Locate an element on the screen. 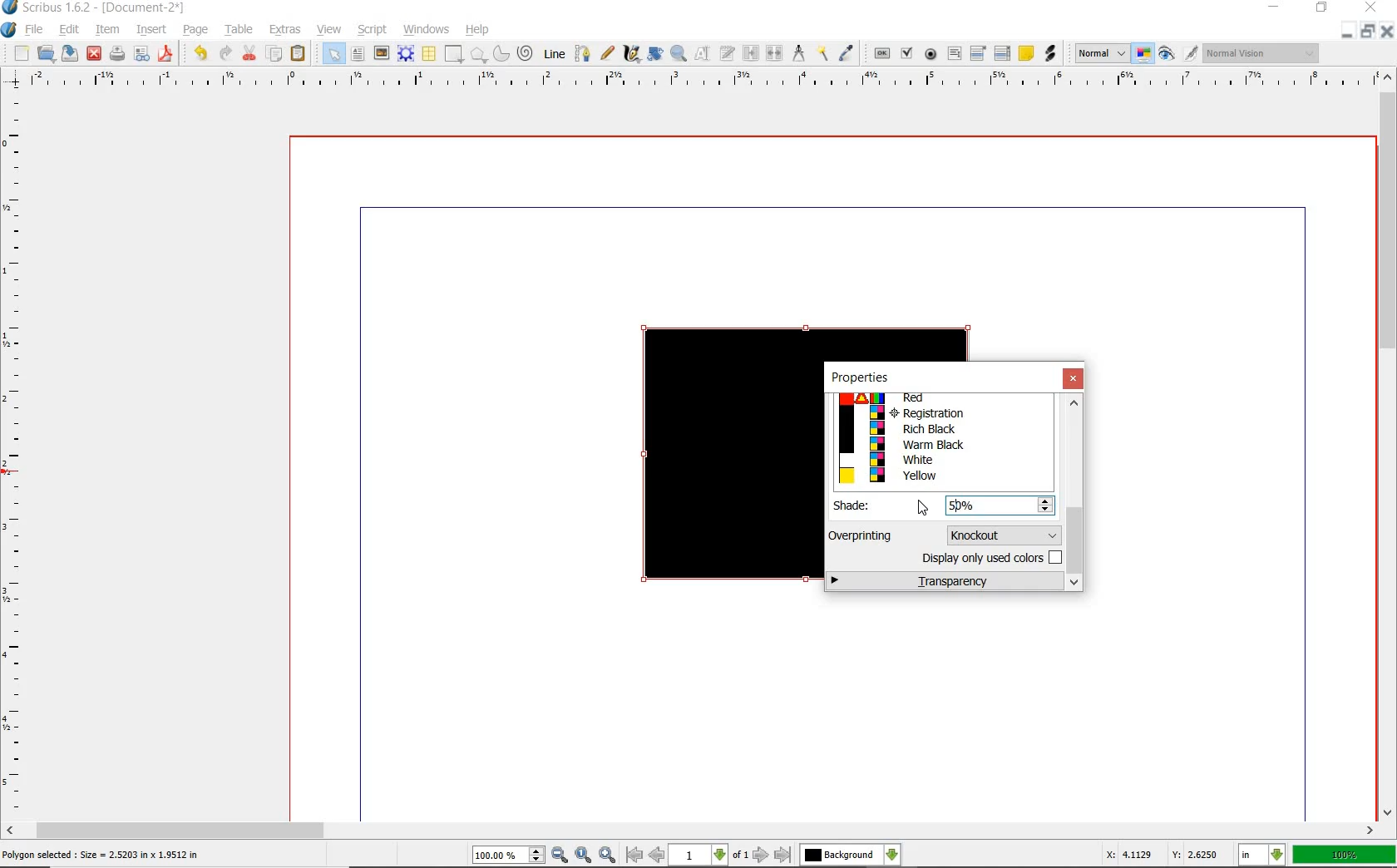 Image resolution: width=1397 pixels, height=868 pixels. Overprinting is located at coordinates (862, 535).